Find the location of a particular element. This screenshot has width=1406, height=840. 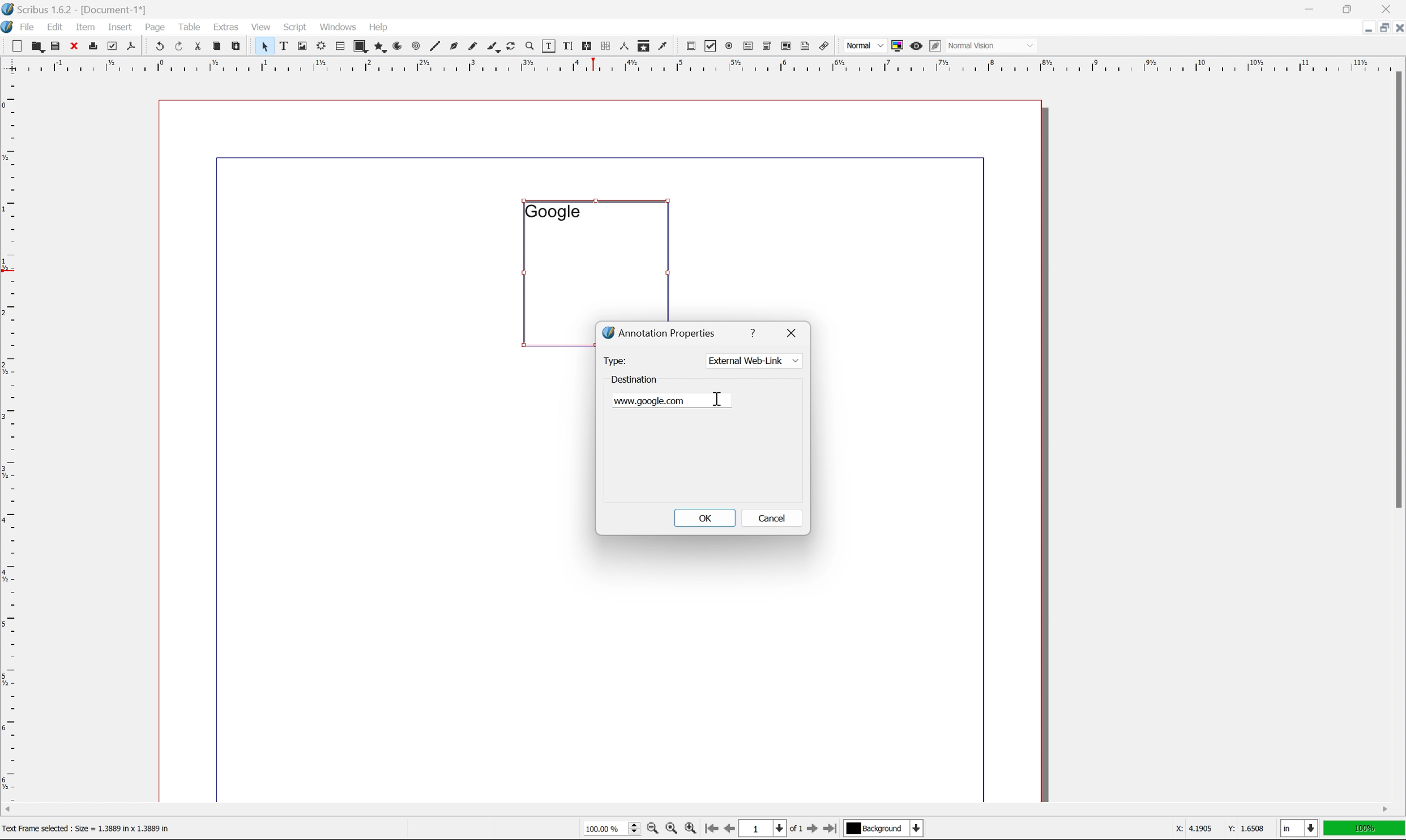

100% is located at coordinates (1365, 829).